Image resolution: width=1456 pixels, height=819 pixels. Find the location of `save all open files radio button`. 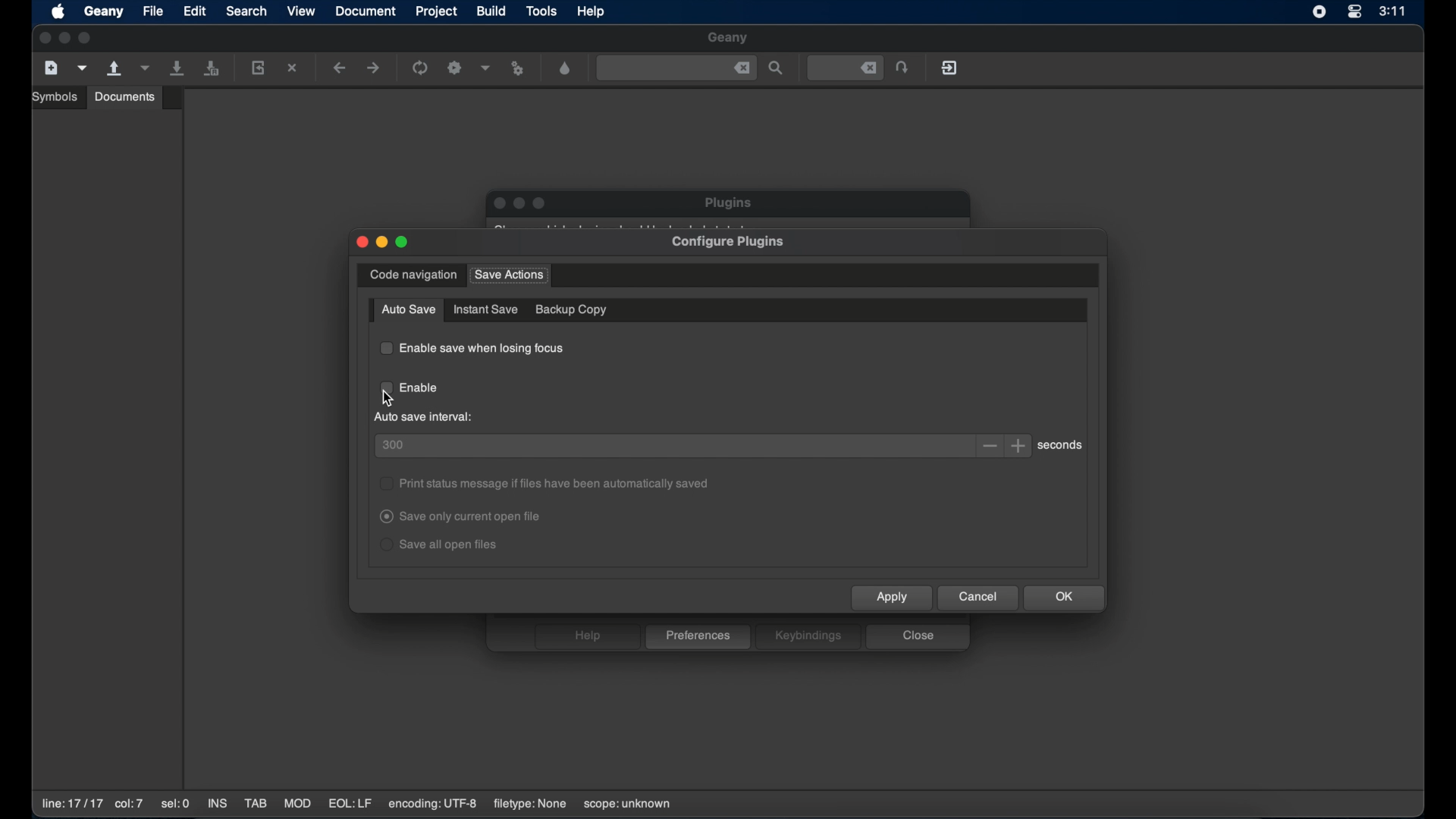

save all open files radio button is located at coordinates (440, 545).